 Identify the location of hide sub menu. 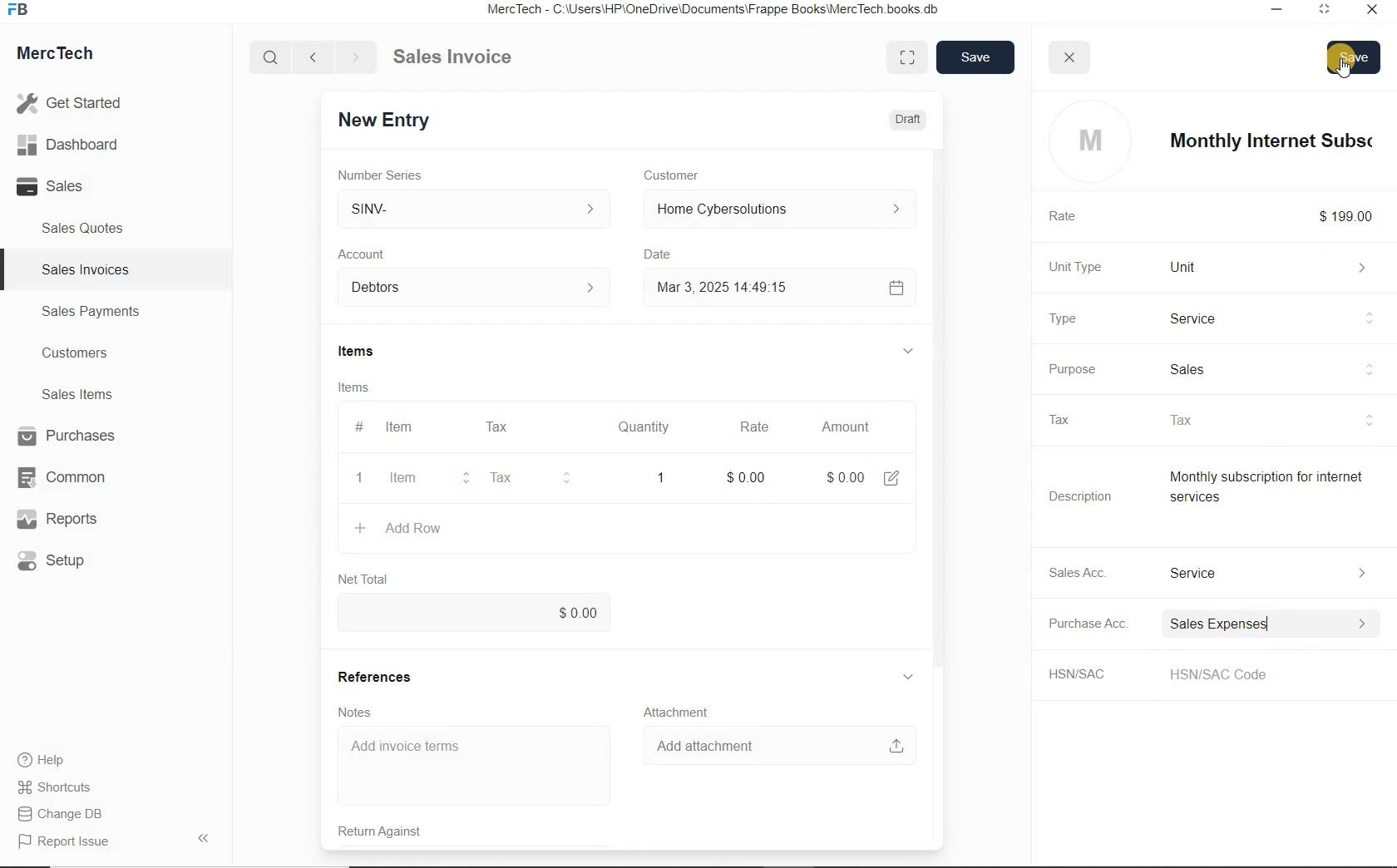
(907, 352).